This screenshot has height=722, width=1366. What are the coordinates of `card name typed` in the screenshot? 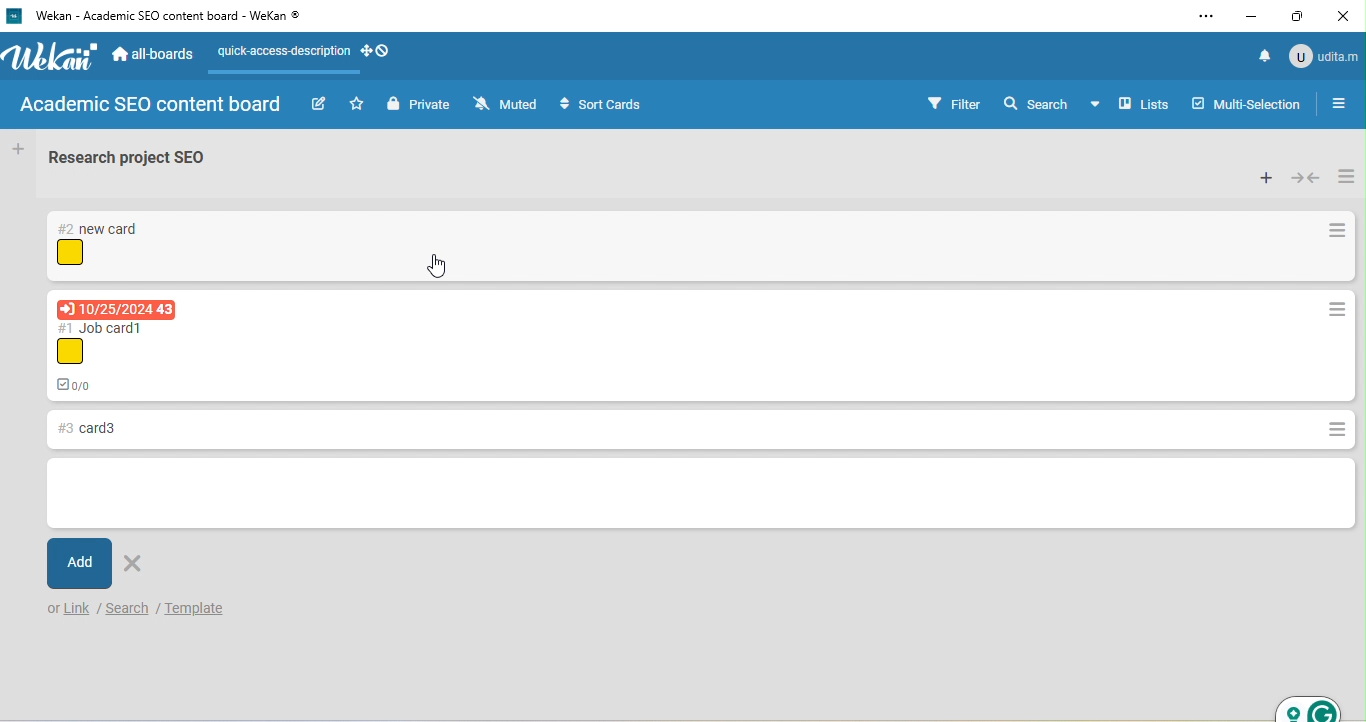 It's located at (83, 430).